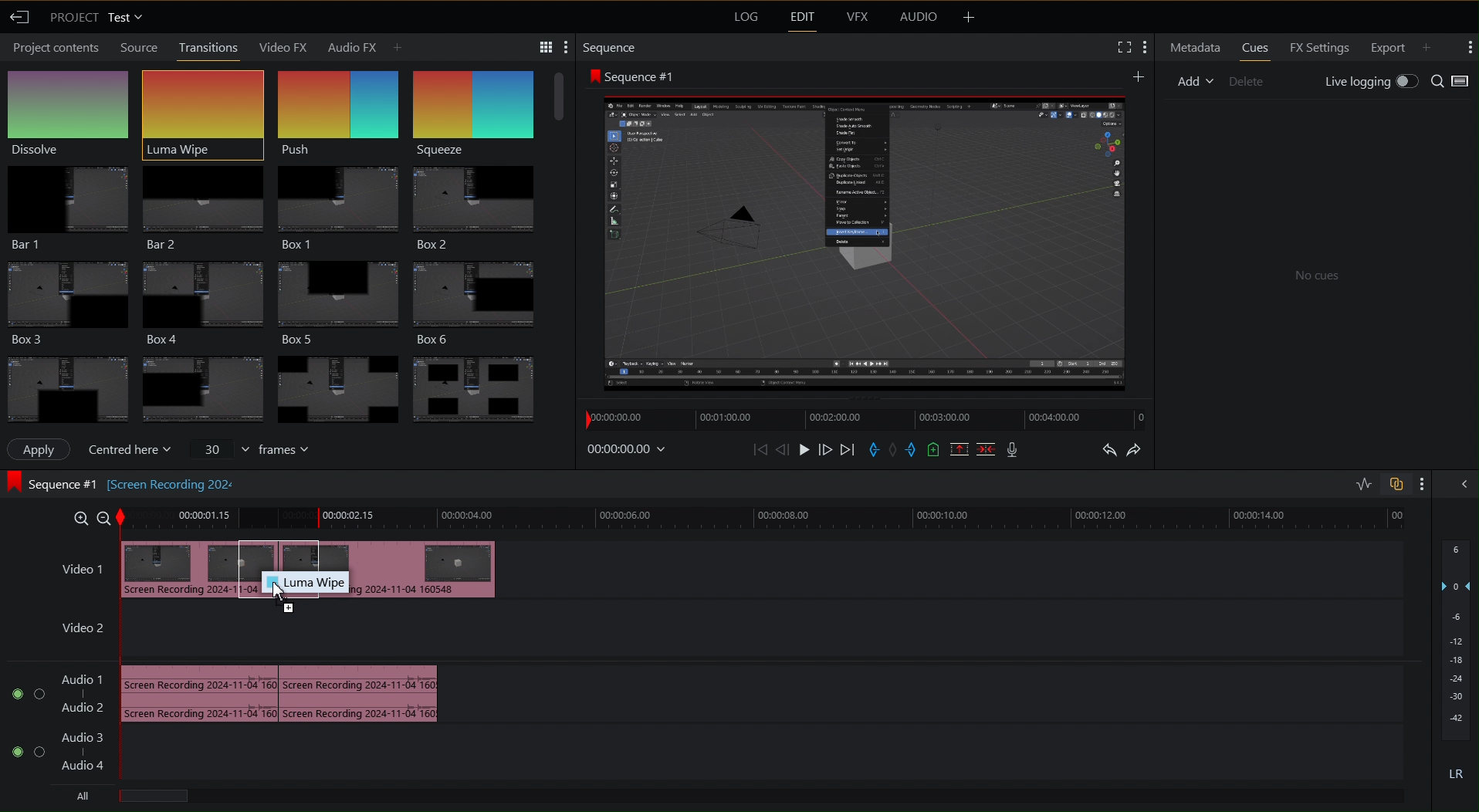 This screenshot has height=812, width=1479. I want to click on Add, so click(1195, 81).